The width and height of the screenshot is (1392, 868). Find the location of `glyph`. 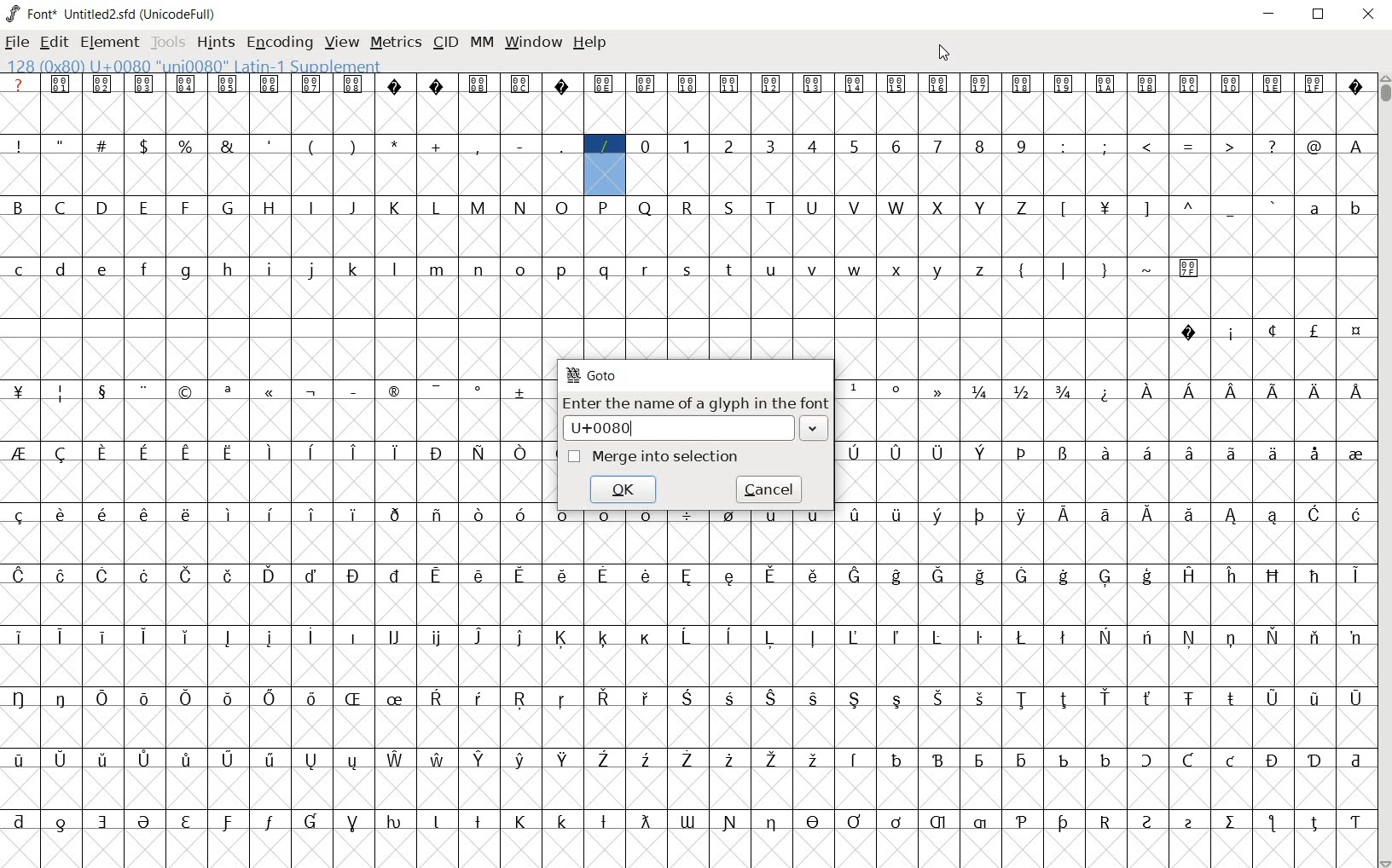

glyph is located at coordinates (1022, 700).